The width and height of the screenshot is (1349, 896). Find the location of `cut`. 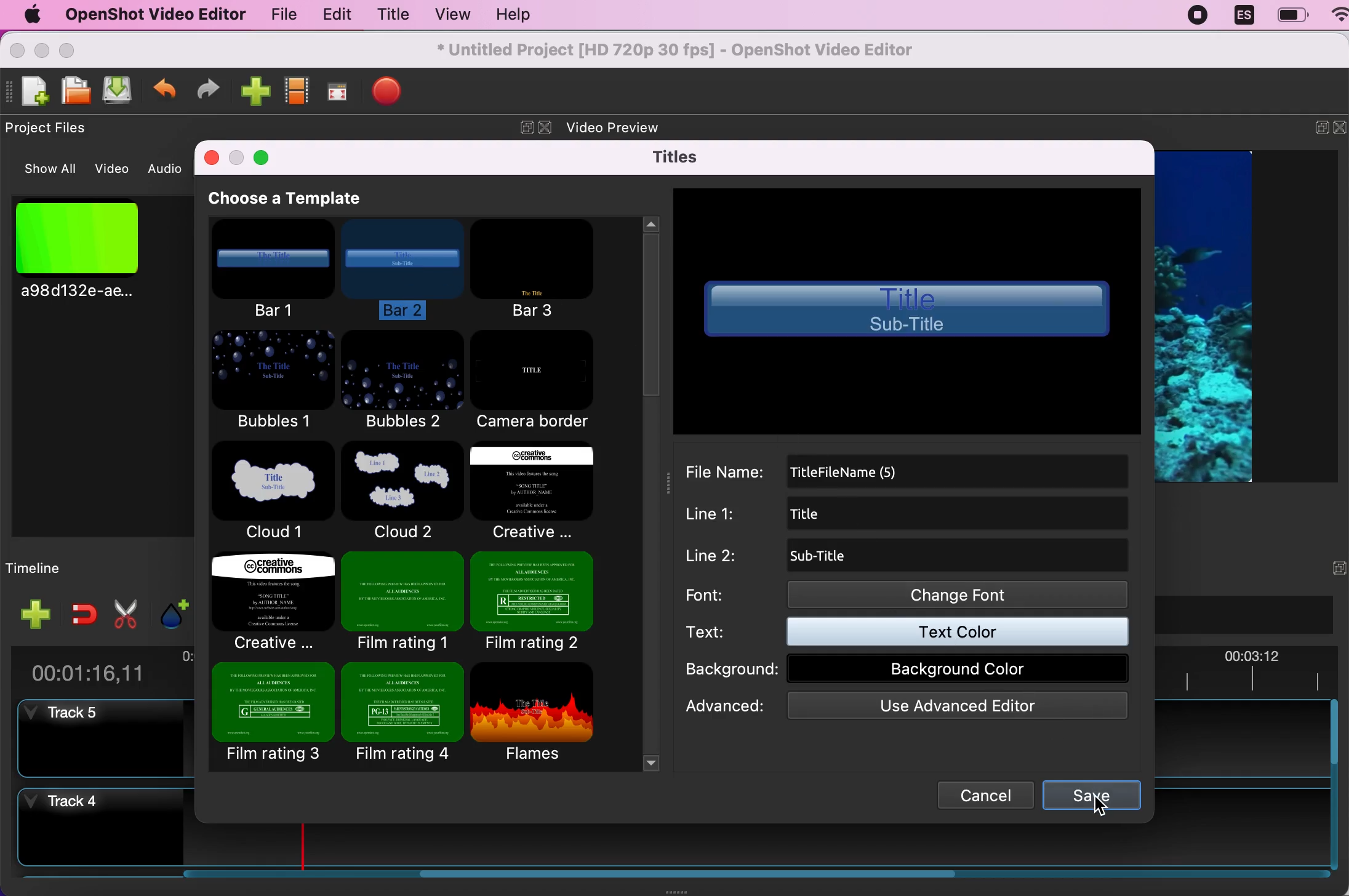

cut is located at coordinates (124, 614).